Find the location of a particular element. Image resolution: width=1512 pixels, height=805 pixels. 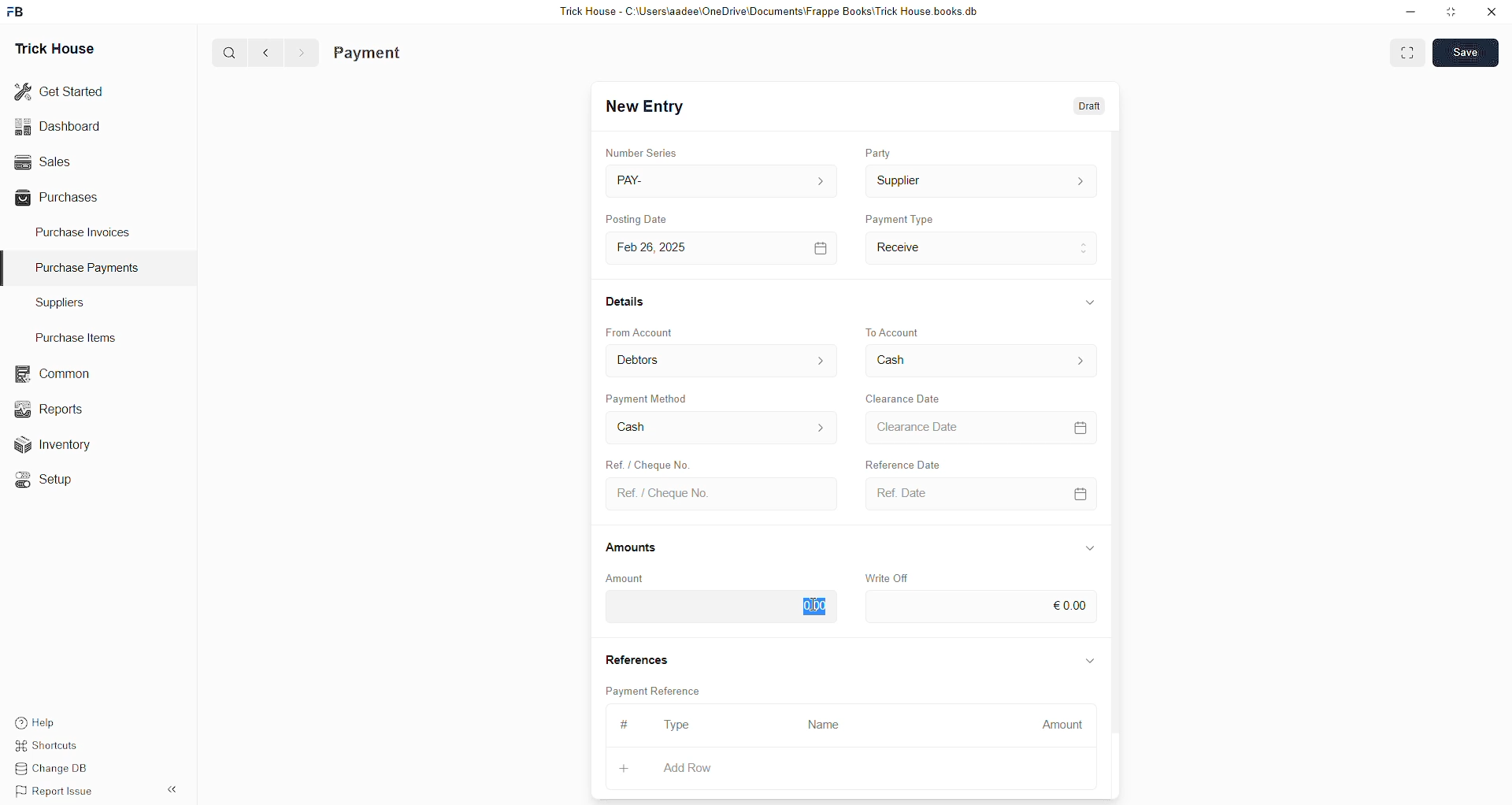

Reference Date is located at coordinates (921, 465).